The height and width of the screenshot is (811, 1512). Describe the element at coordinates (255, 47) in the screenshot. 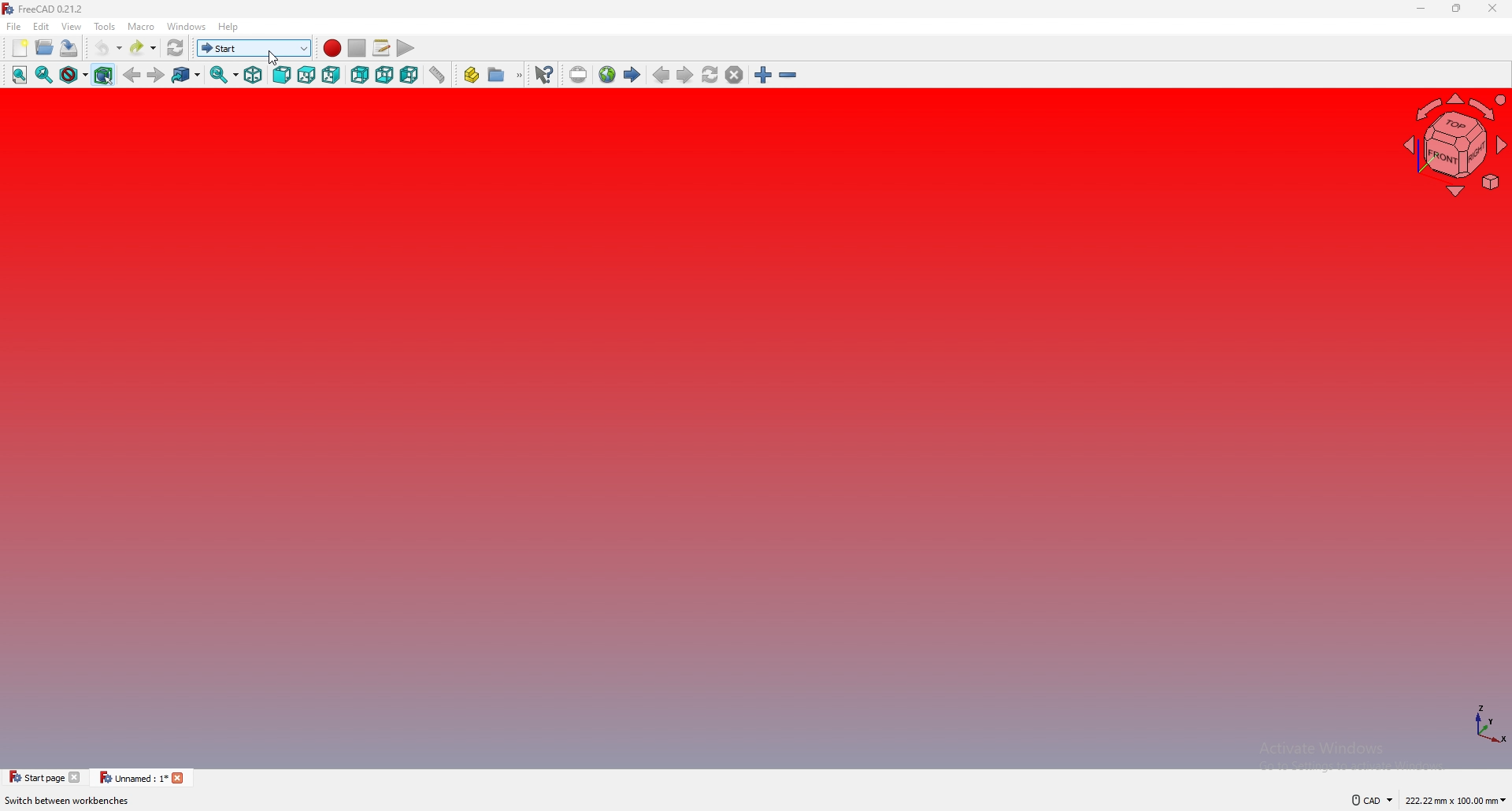

I see `switch workbench` at that location.